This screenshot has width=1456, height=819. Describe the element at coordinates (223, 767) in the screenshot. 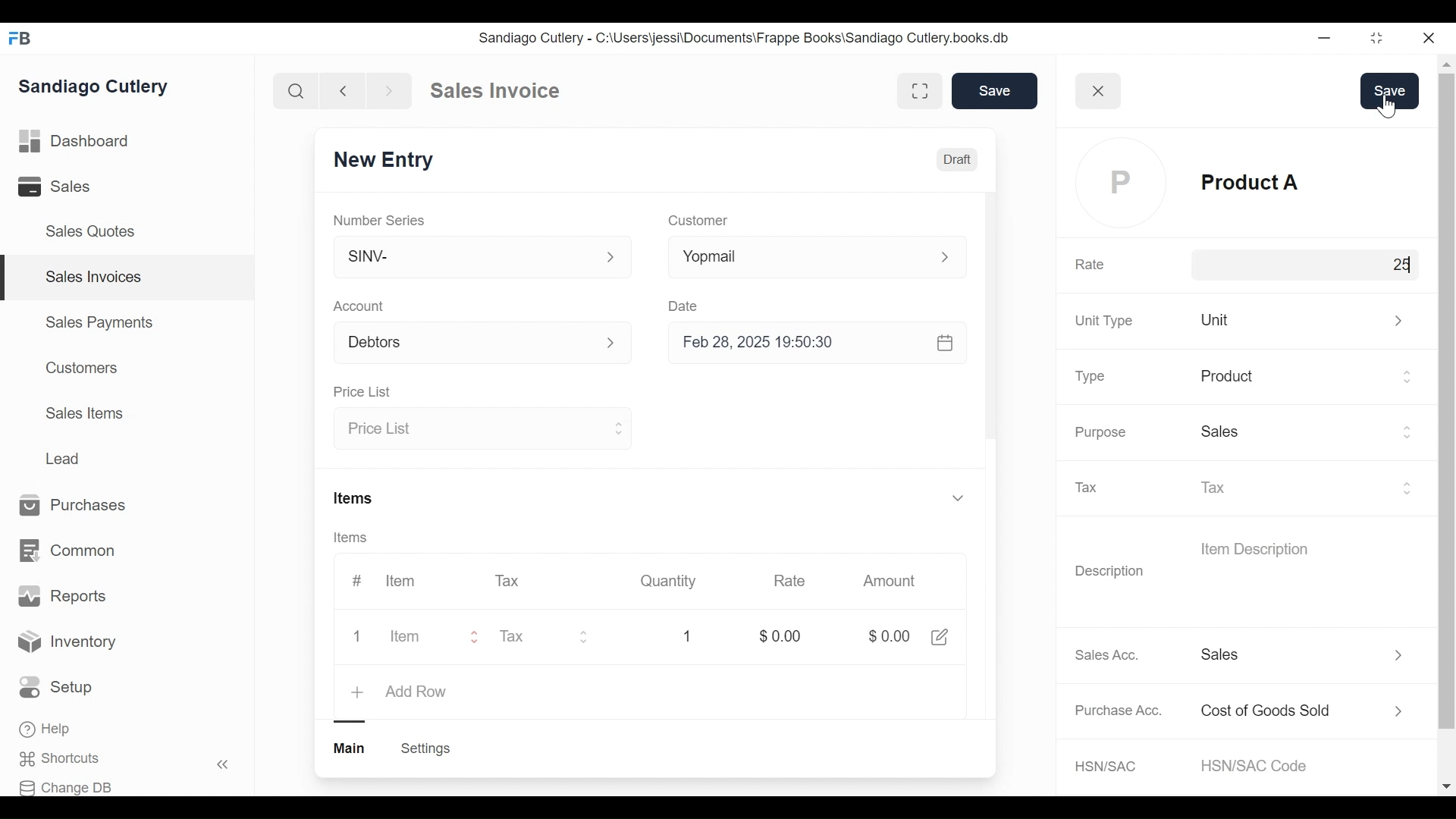

I see `«` at that location.